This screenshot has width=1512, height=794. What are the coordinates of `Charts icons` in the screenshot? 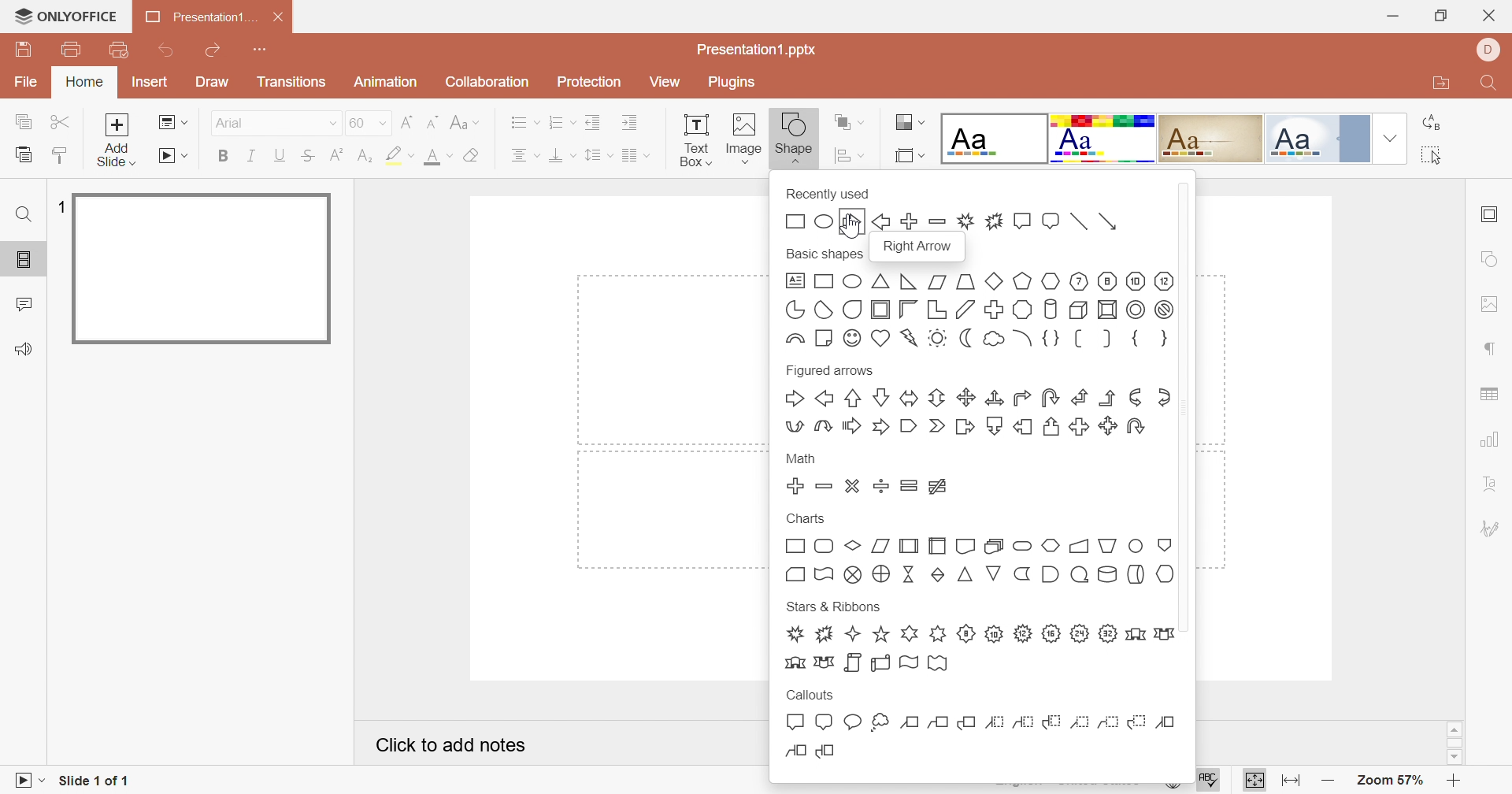 It's located at (979, 562).